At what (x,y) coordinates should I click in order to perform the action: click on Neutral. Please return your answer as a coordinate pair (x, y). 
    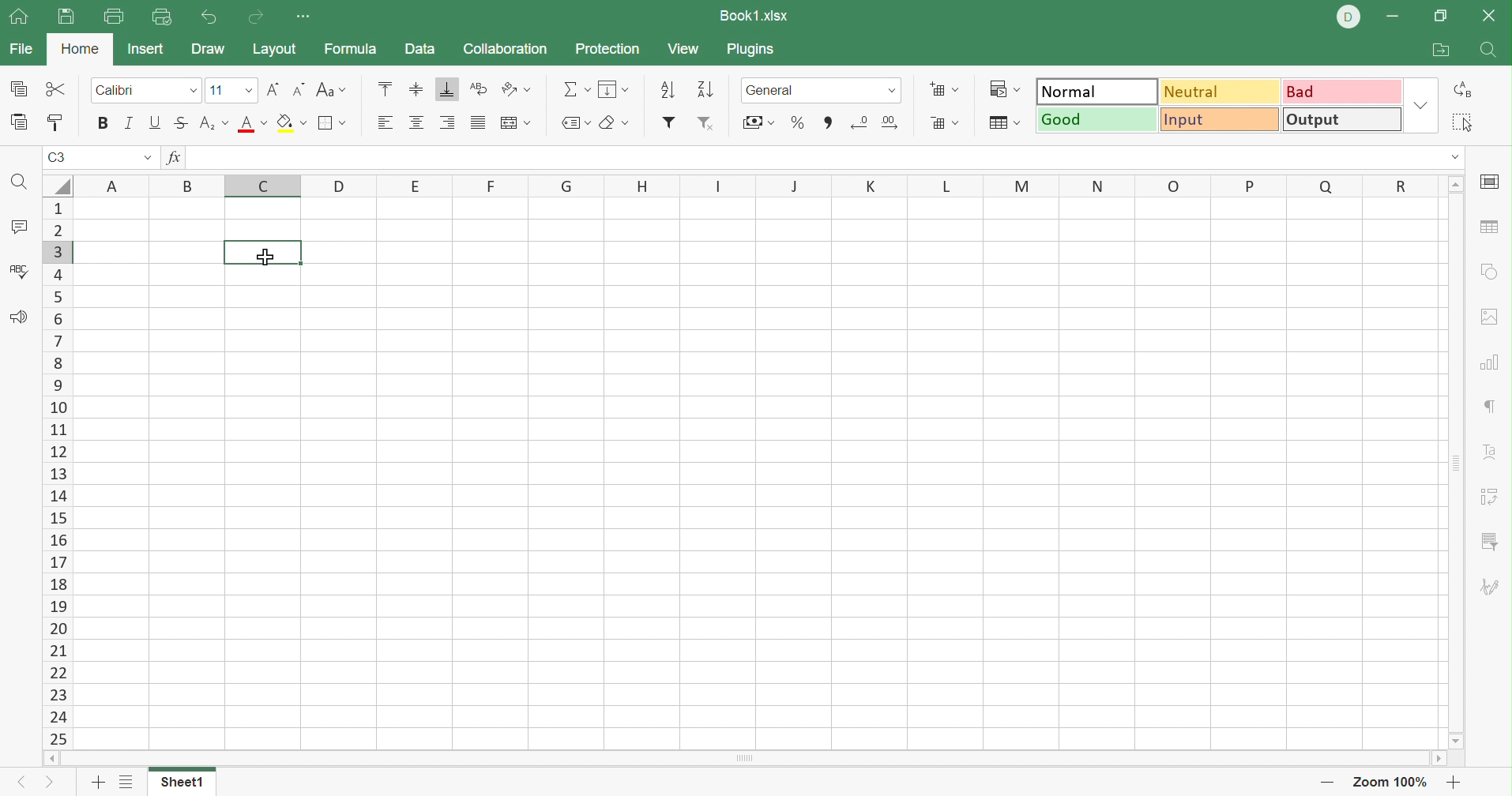
    Looking at the image, I should click on (1221, 92).